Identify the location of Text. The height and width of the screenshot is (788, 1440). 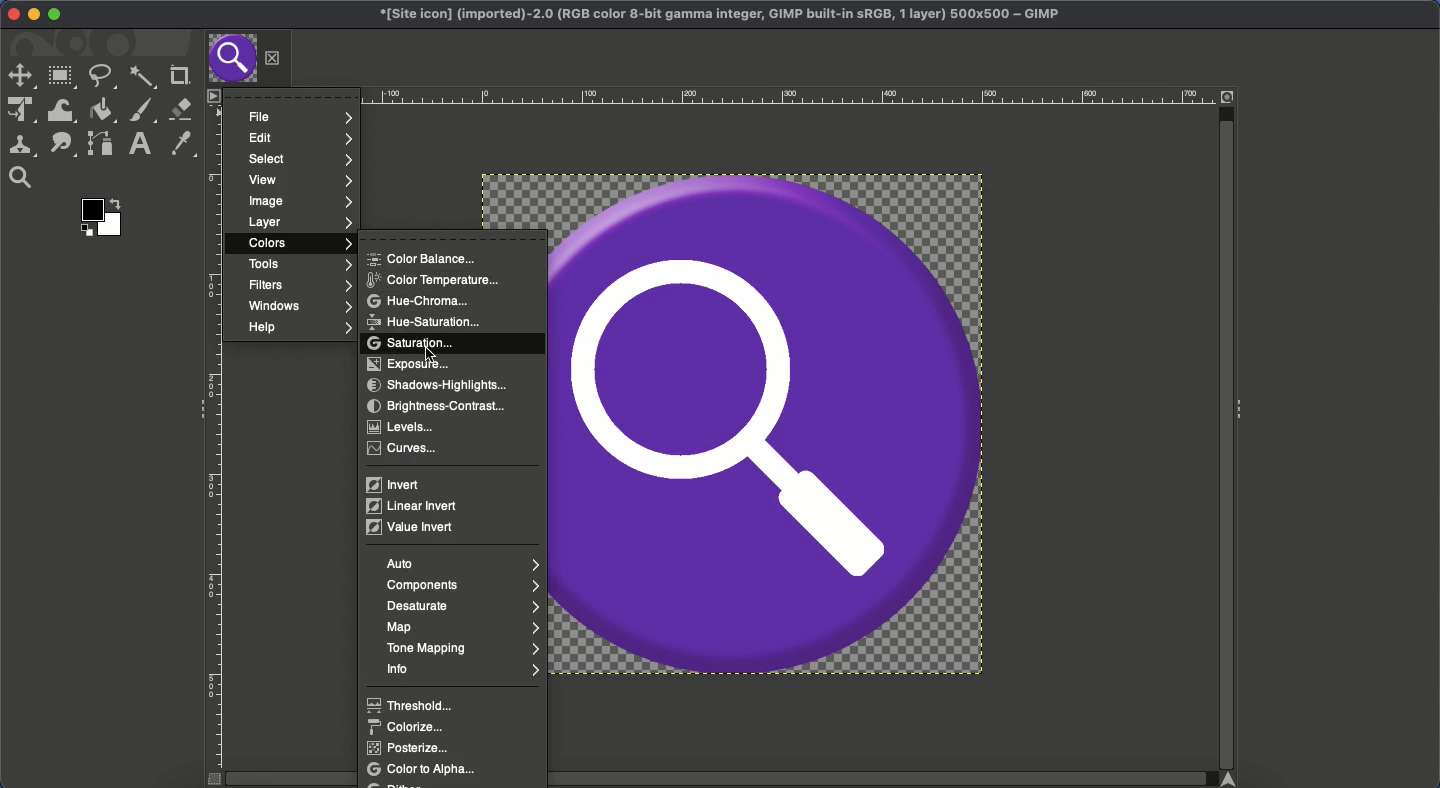
(139, 144).